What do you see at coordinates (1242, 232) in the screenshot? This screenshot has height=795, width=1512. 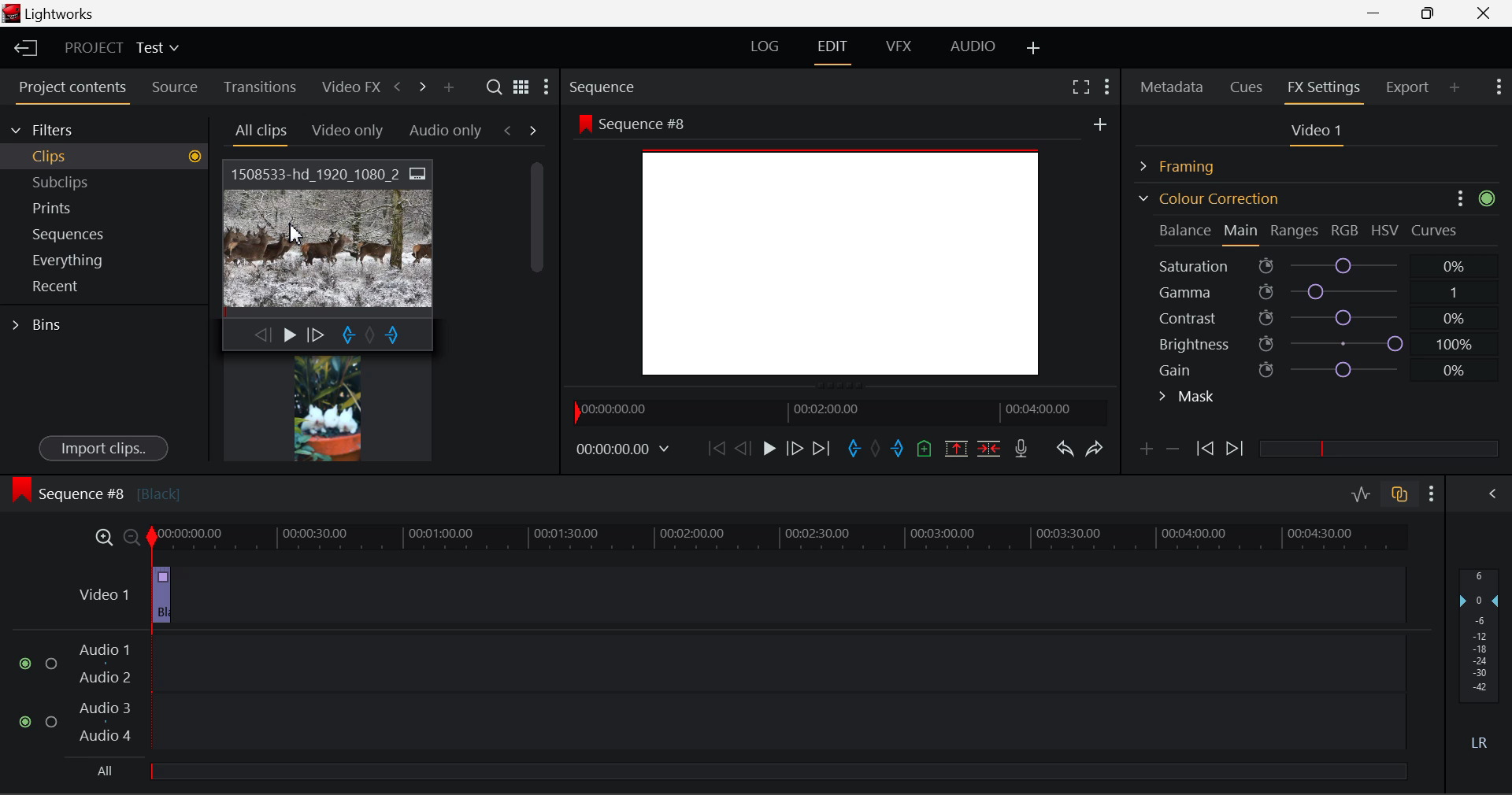 I see `Main Tab Open` at bounding box center [1242, 232].